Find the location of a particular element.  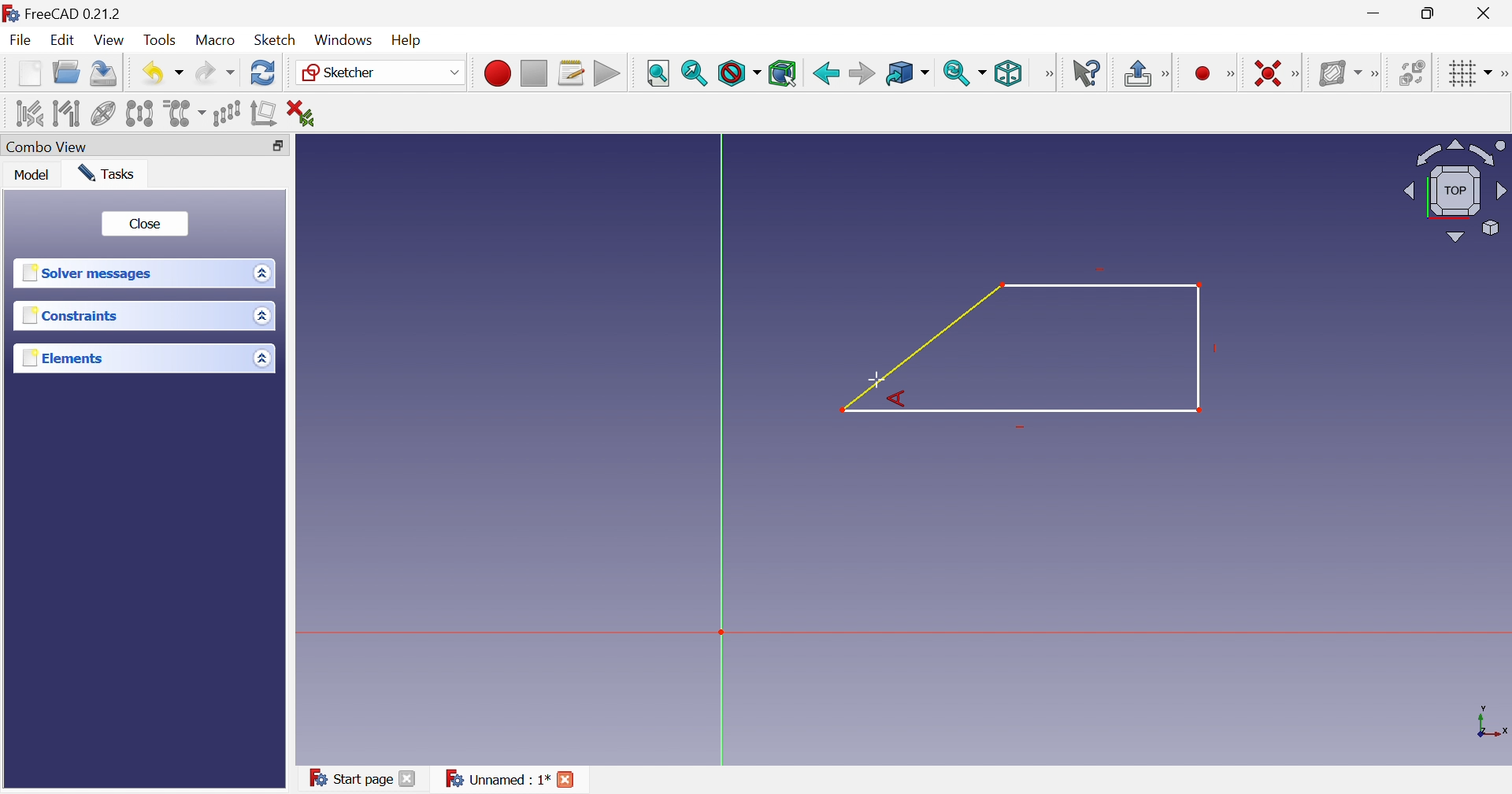

Macro recording ... is located at coordinates (495, 72).